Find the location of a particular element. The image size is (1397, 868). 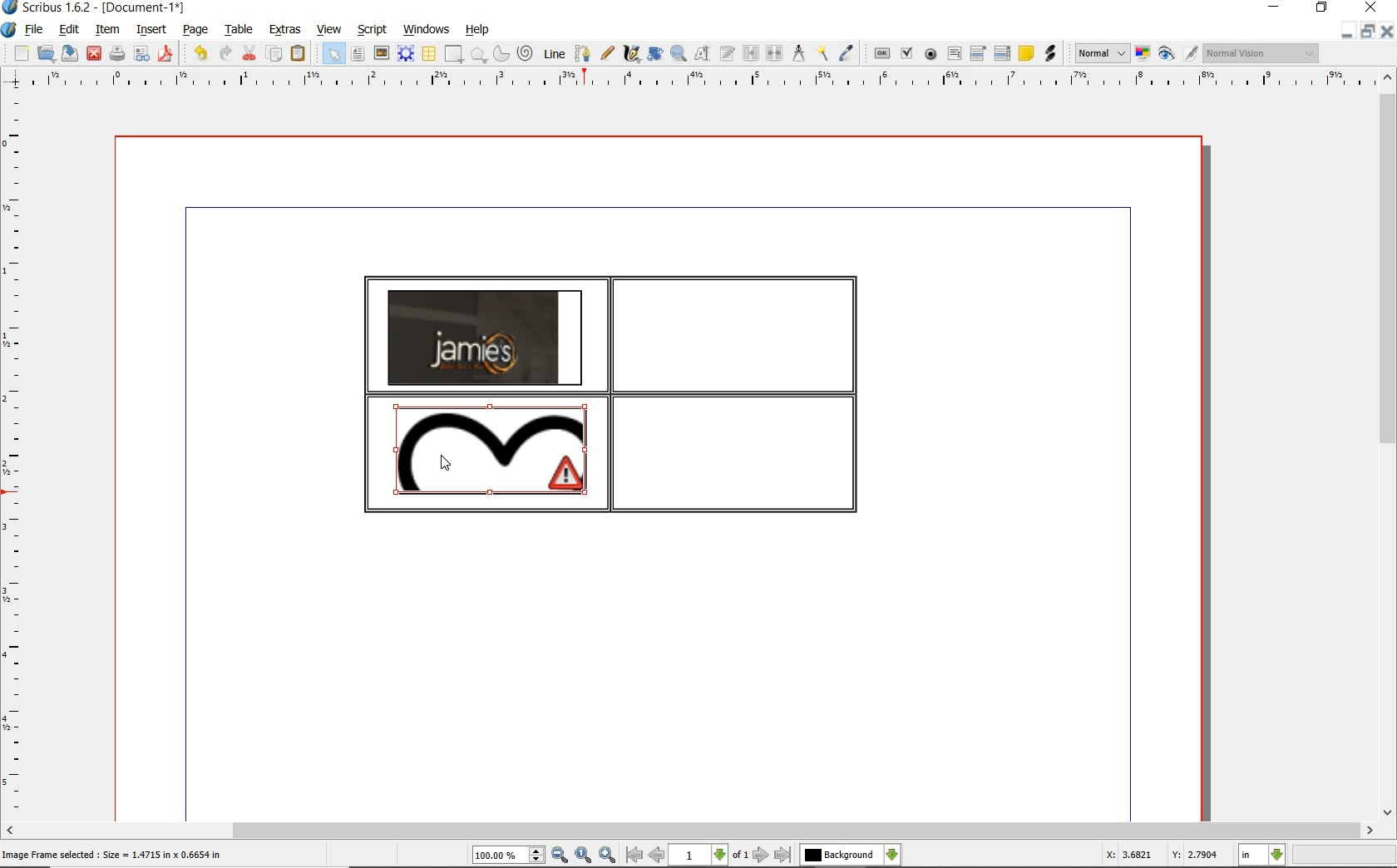

image added is located at coordinates (485, 337).